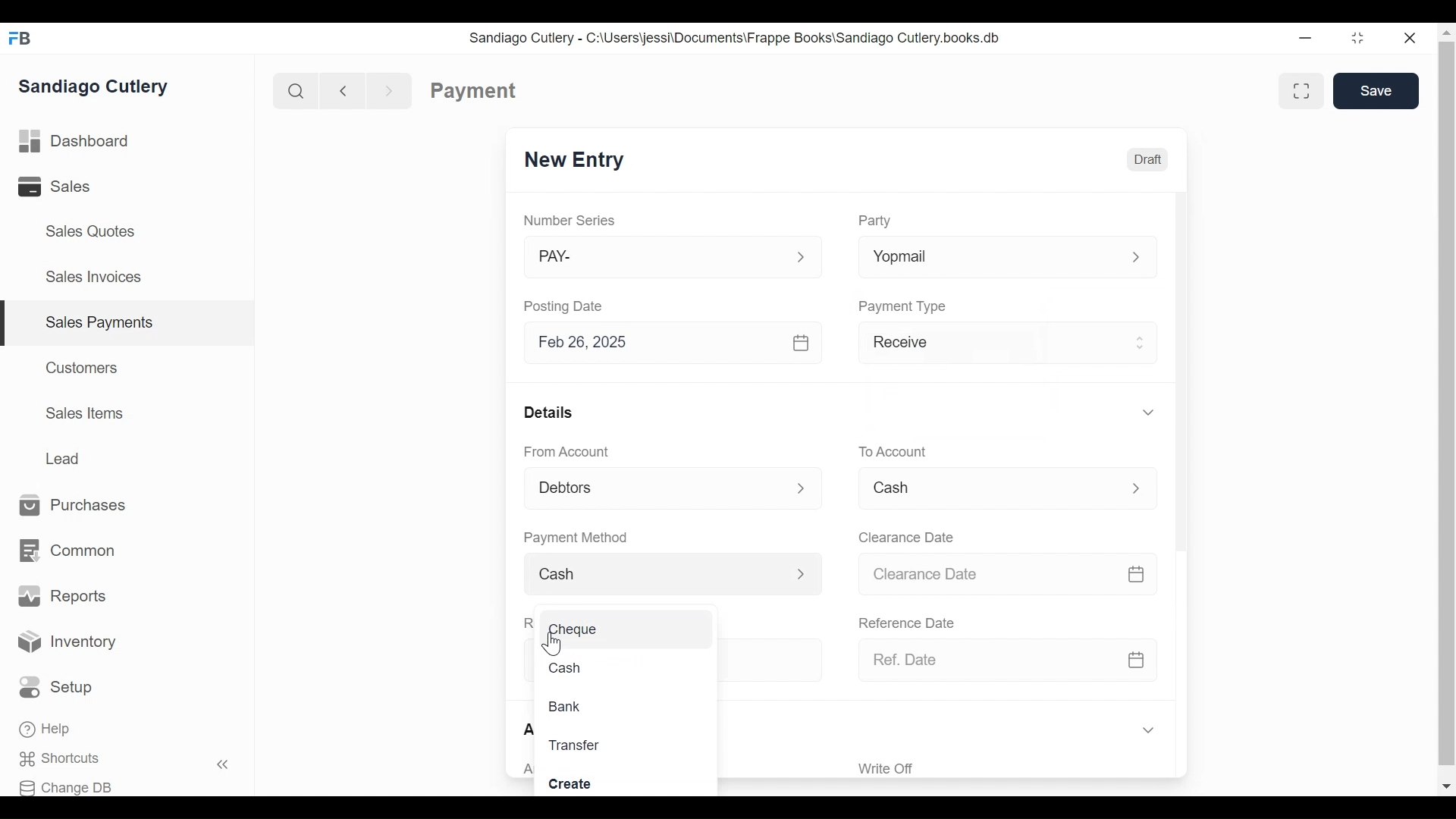 This screenshot has width=1456, height=819. What do you see at coordinates (60, 688) in the screenshot?
I see `Setup` at bounding box center [60, 688].